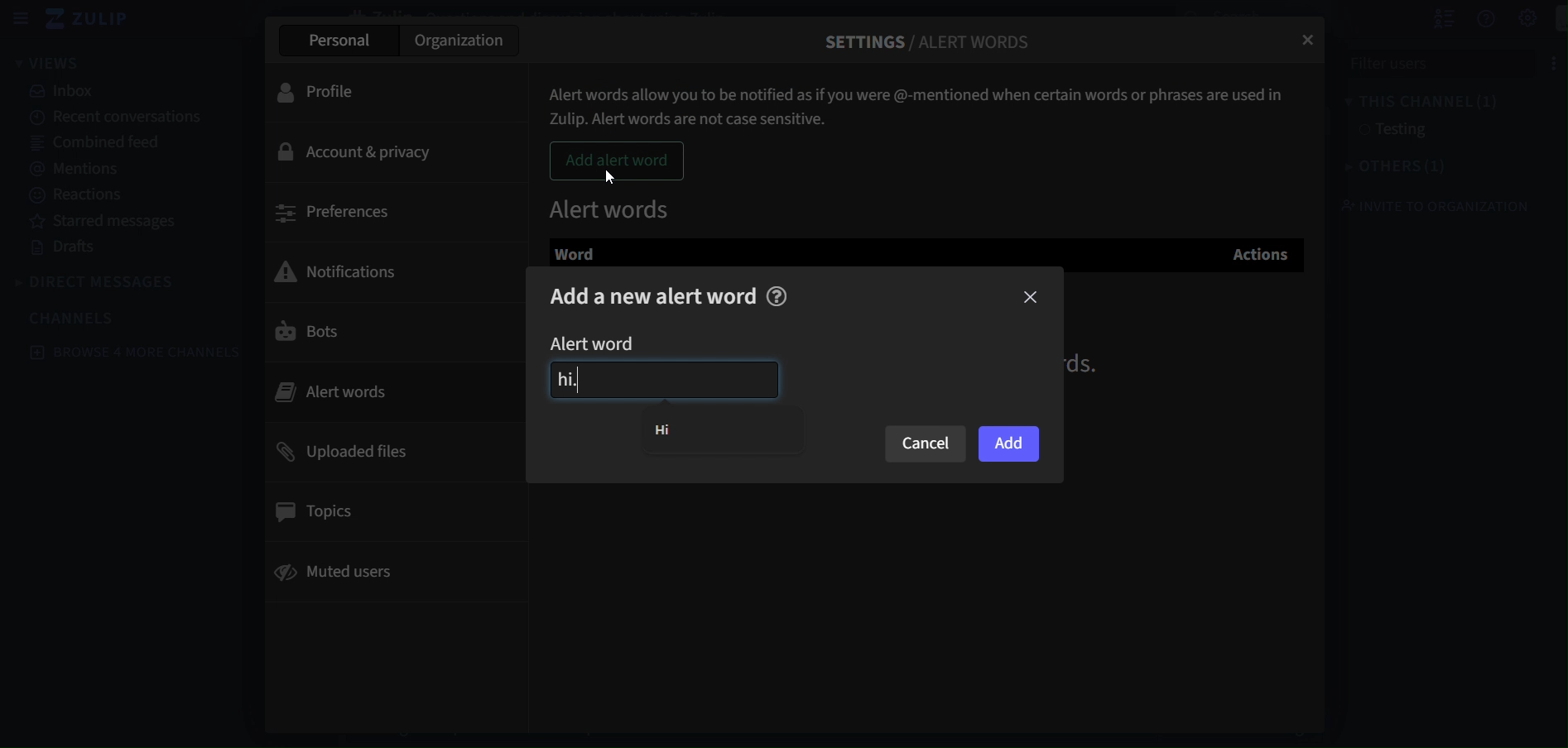  Describe the element at coordinates (352, 390) in the screenshot. I see `alert words` at that location.